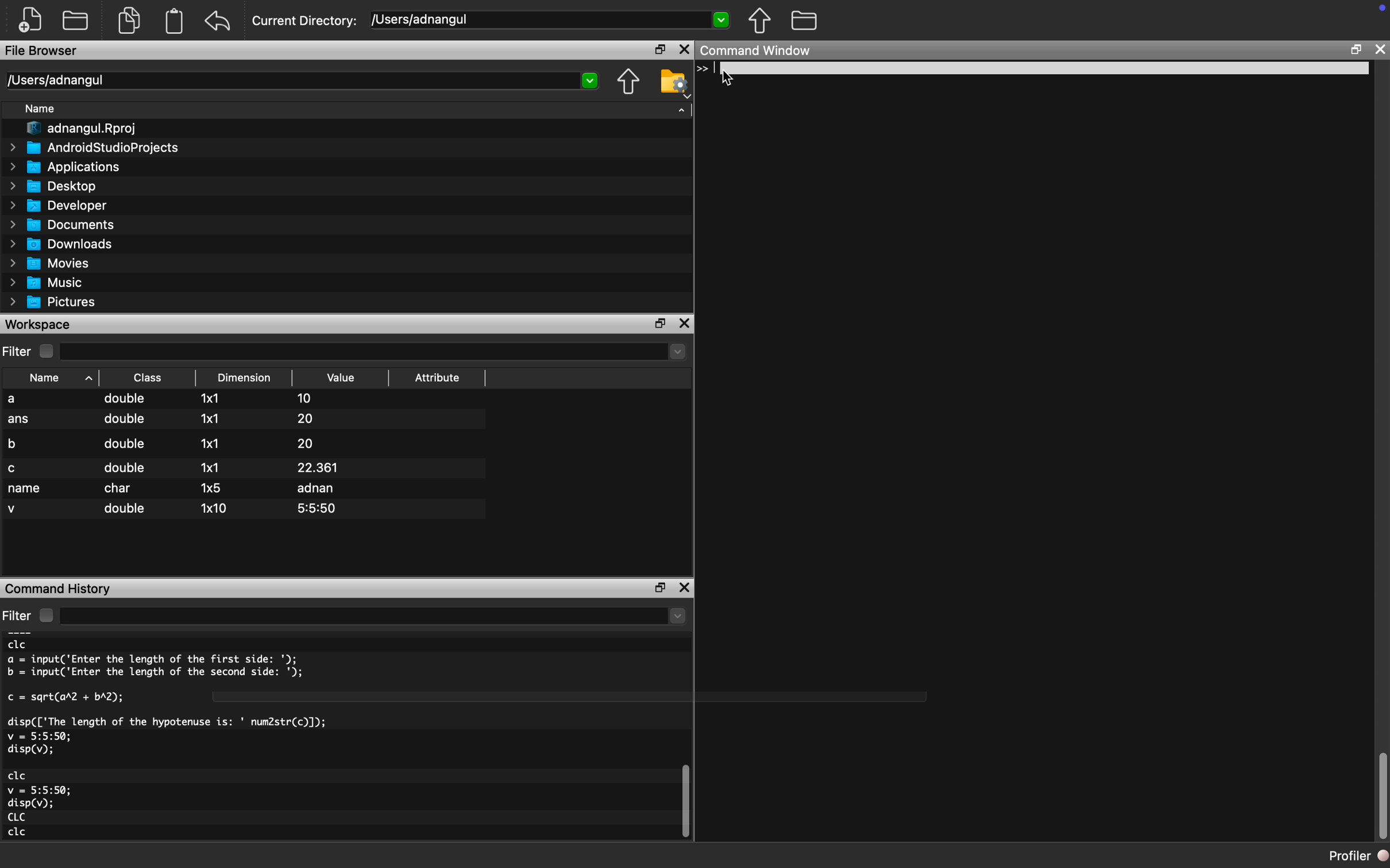 This screenshot has width=1390, height=868. I want to click on Open an existing file in editor, so click(78, 20).